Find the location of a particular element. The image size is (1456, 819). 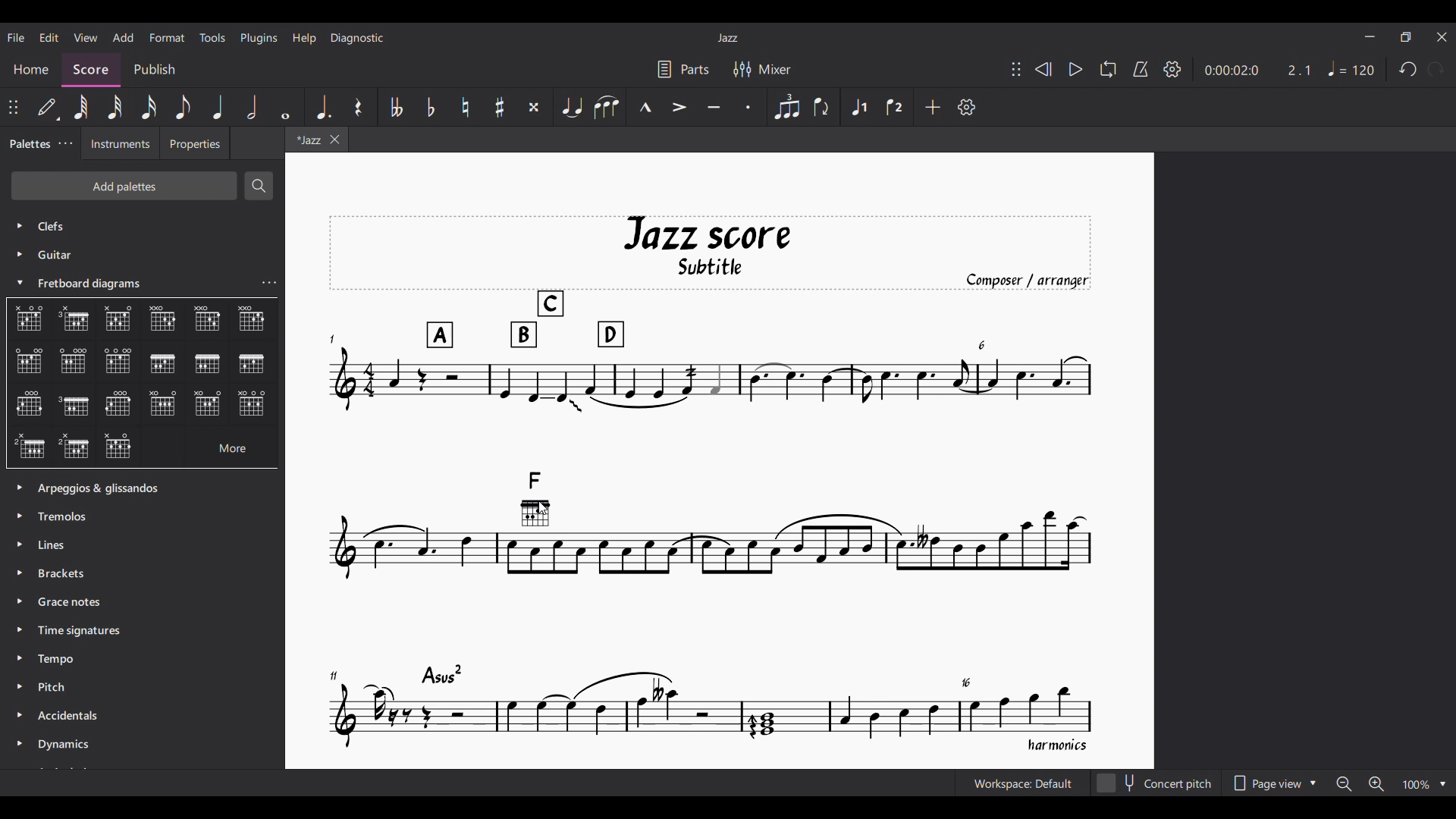

Show in smaller tab is located at coordinates (1406, 37).